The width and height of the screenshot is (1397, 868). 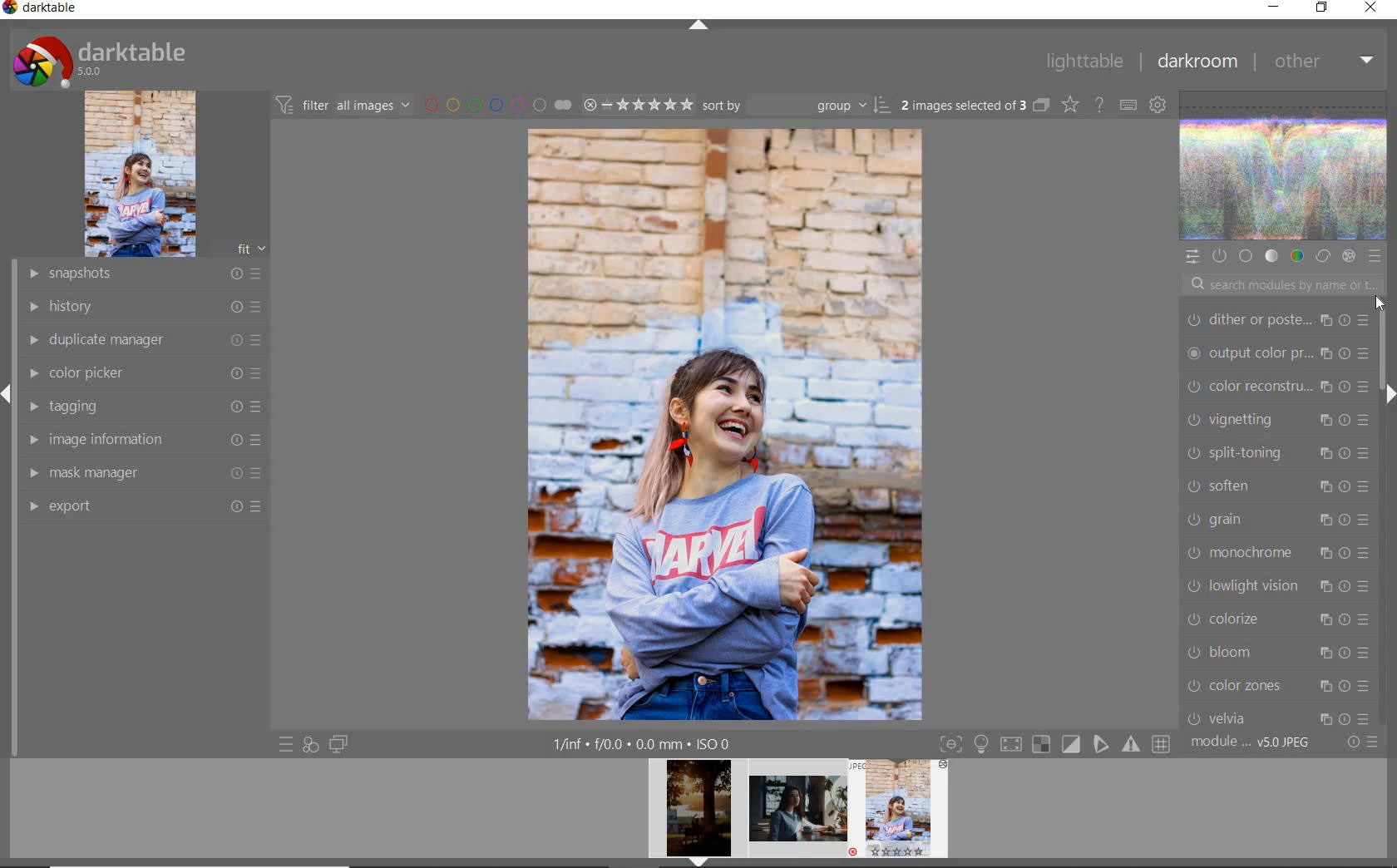 I want to click on haze removal, so click(x=1276, y=649).